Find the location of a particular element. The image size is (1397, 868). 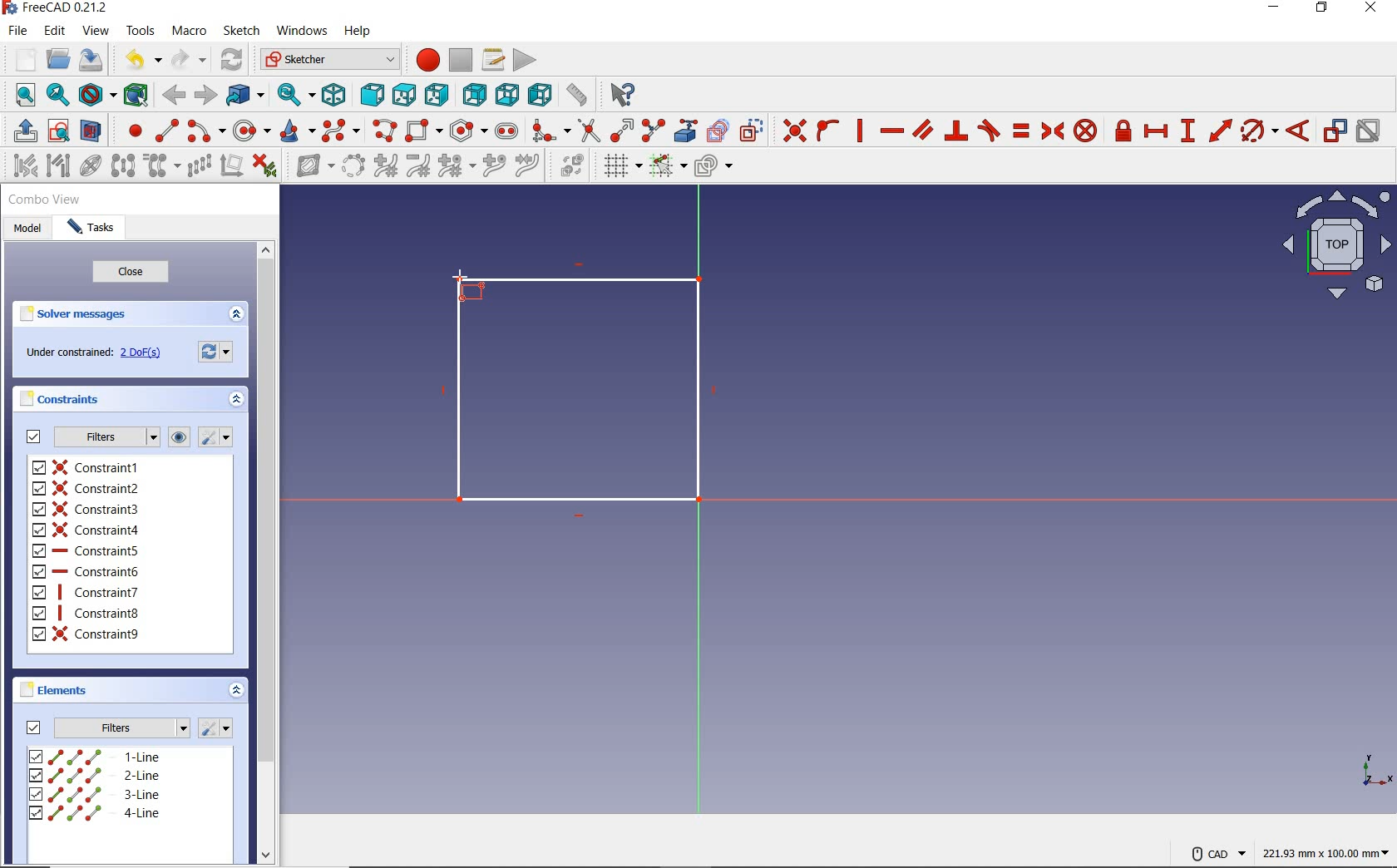

constraint6 is located at coordinates (86, 572).